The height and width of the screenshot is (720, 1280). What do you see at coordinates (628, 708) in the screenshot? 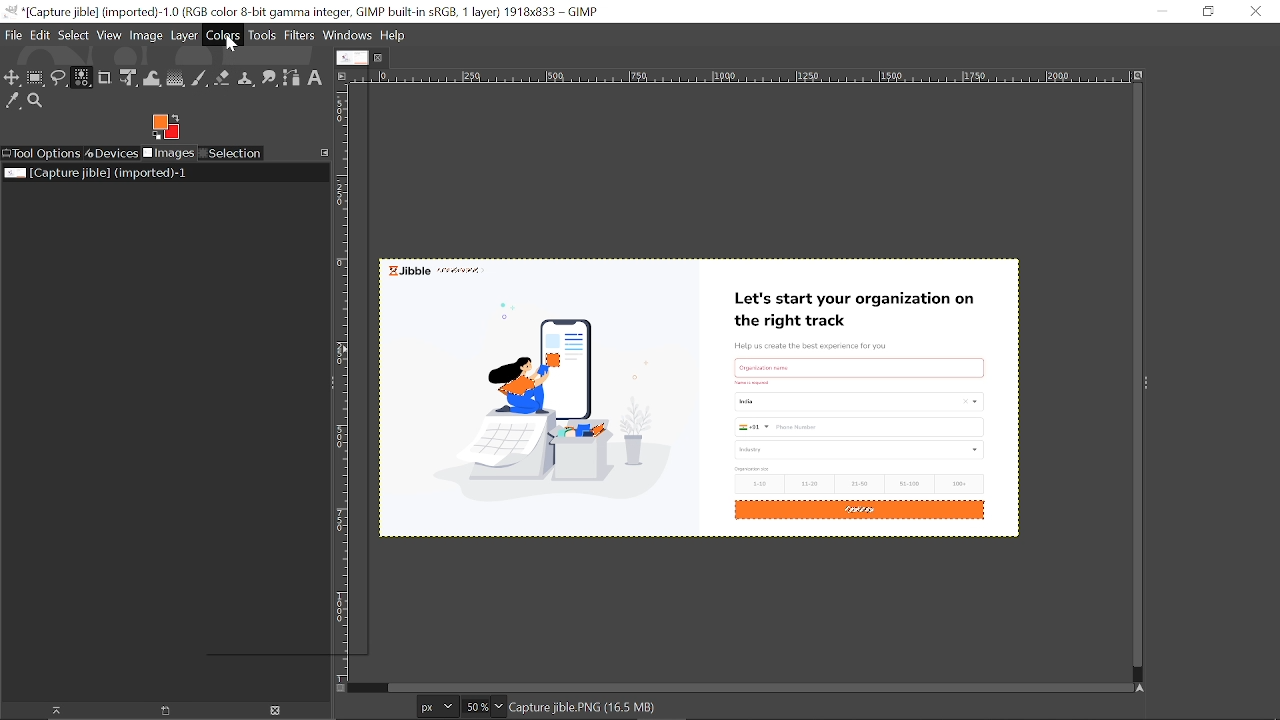
I see `image name` at bounding box center [628, 708].